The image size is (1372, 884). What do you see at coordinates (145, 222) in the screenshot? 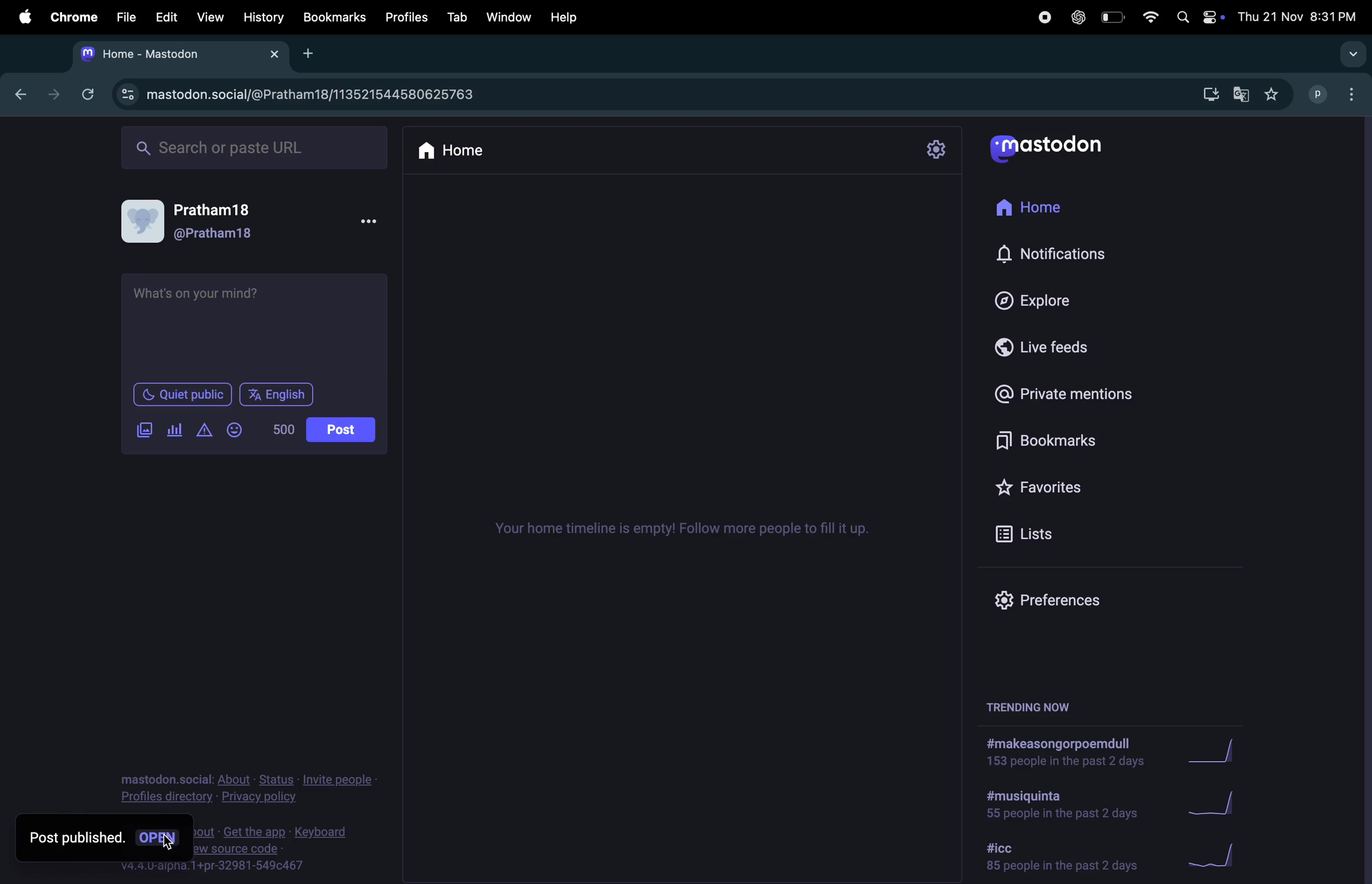
I see `user profile` at bounding box center [145, 222].